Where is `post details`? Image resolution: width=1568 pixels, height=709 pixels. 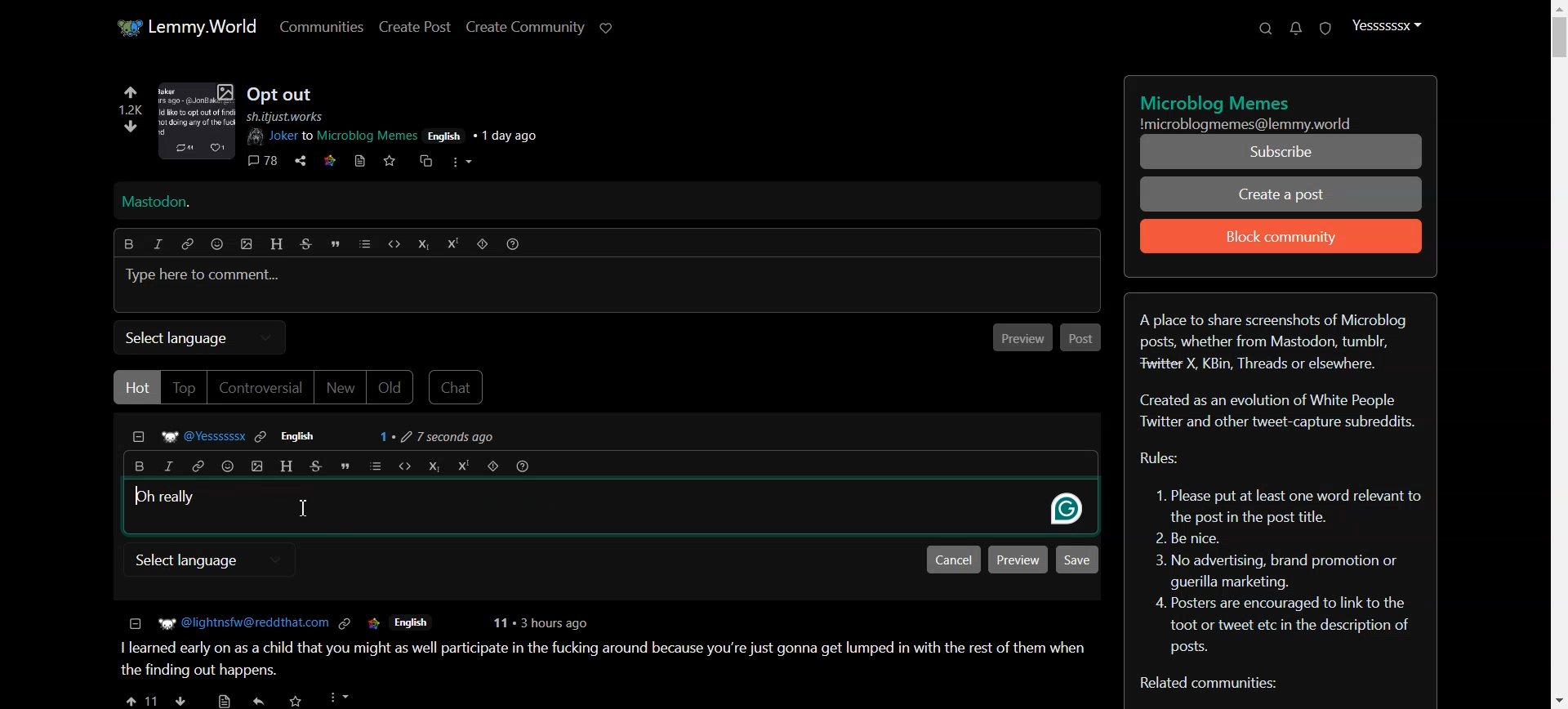 post details is located at coordinates (413, 130).